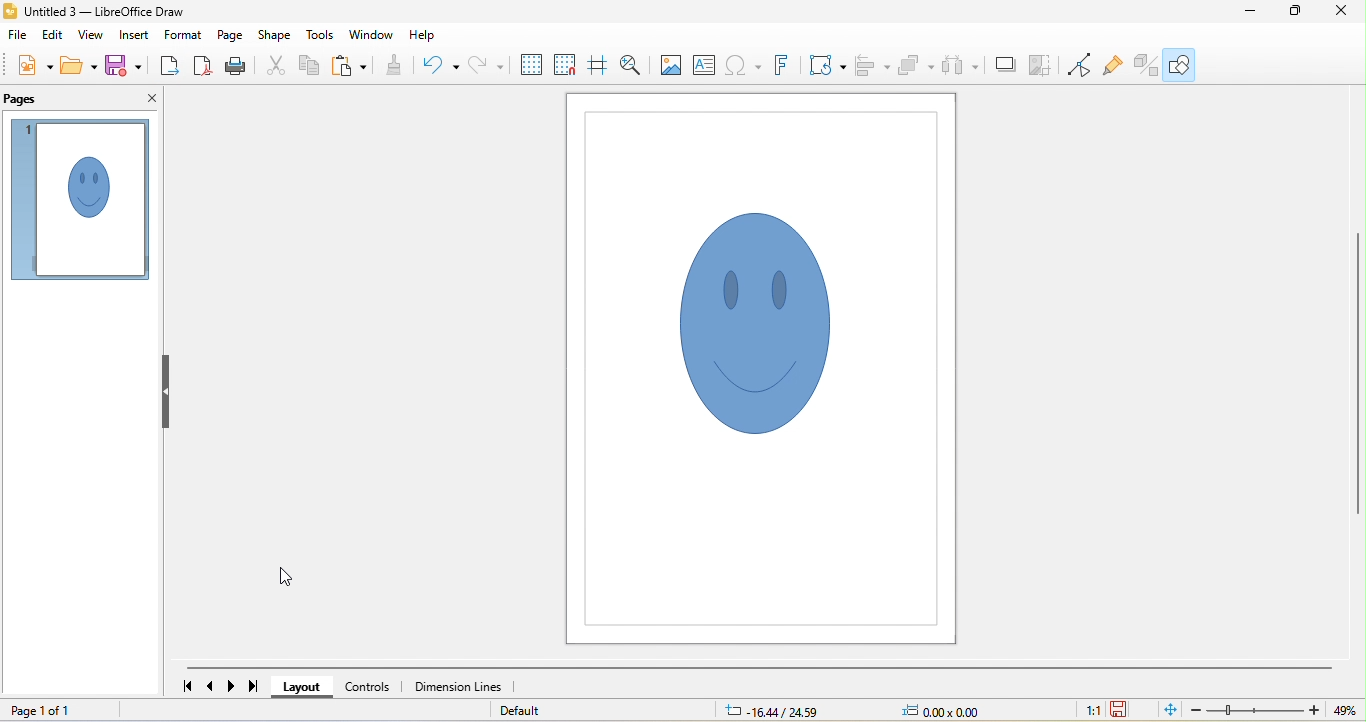  What do you see at coordinates (396, 65) in the screenshot?
I see `clone` at bounding box center [396, 65].